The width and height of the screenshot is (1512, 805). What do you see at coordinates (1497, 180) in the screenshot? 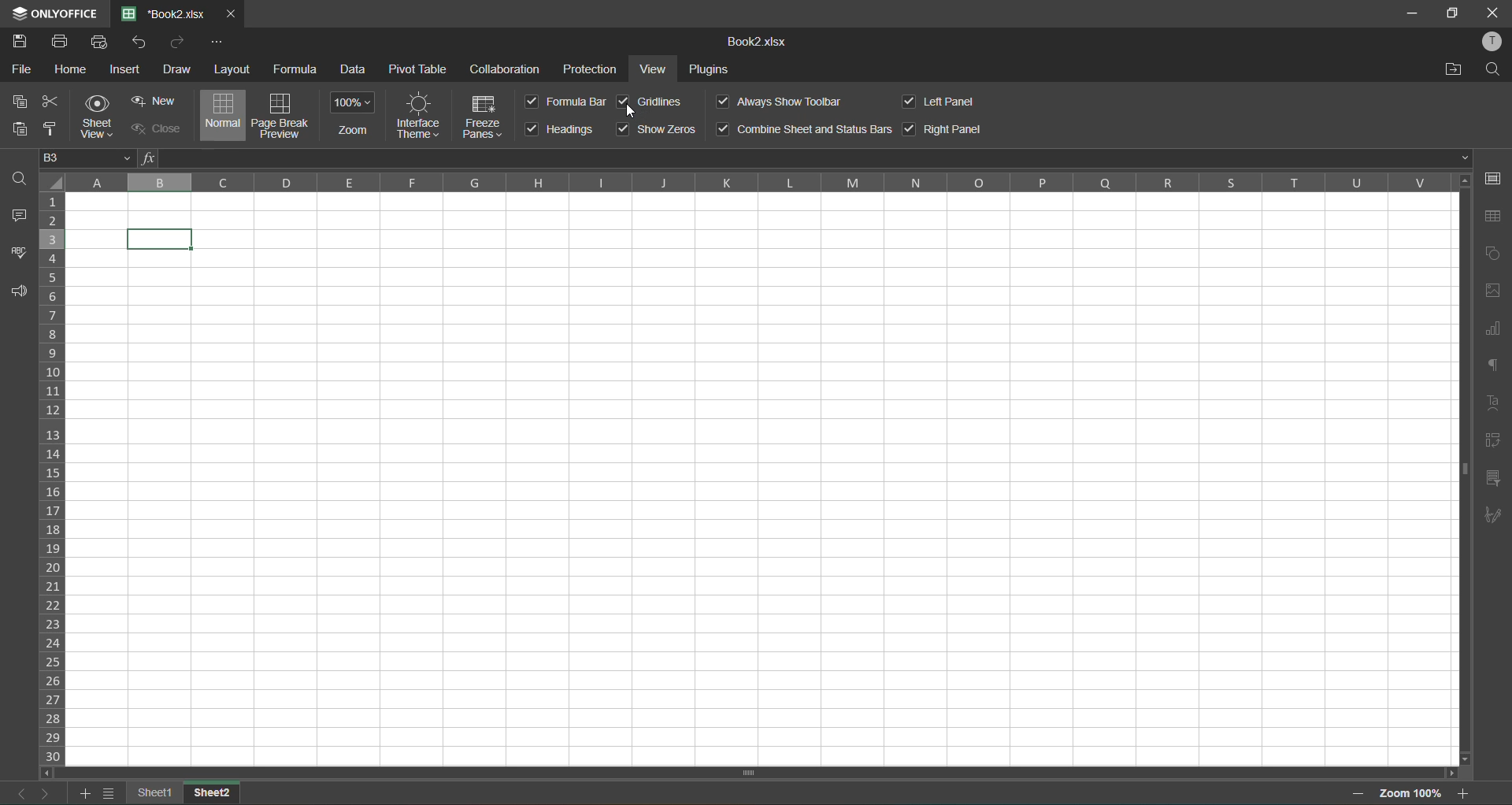
I see `cell settings` at bounding box center [1497, 180].